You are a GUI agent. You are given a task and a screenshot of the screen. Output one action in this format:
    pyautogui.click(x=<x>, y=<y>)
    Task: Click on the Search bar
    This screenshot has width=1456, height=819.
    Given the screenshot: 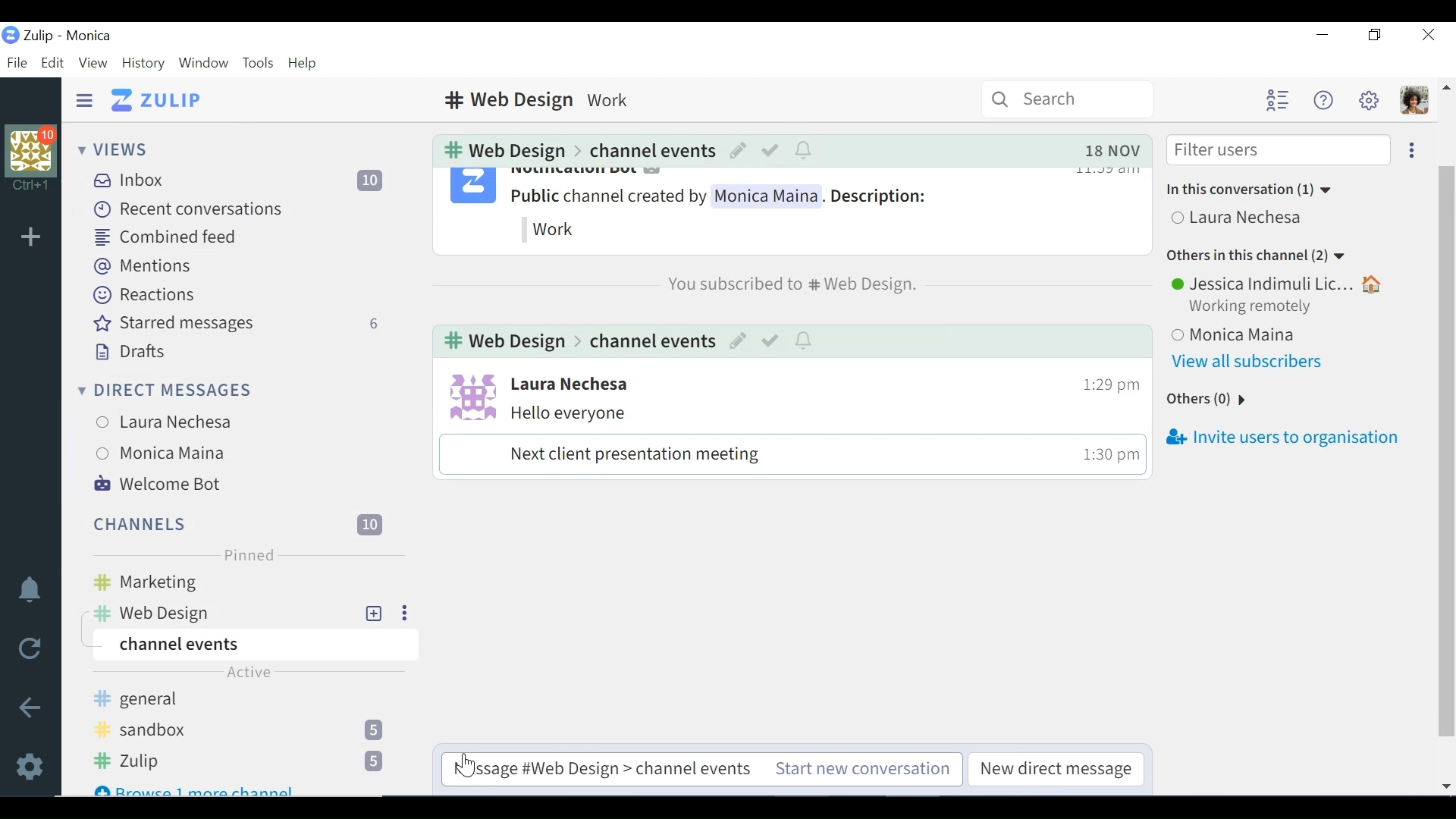 What is the action you would take?
    pyautogui.click(x=1068, y=99)
    